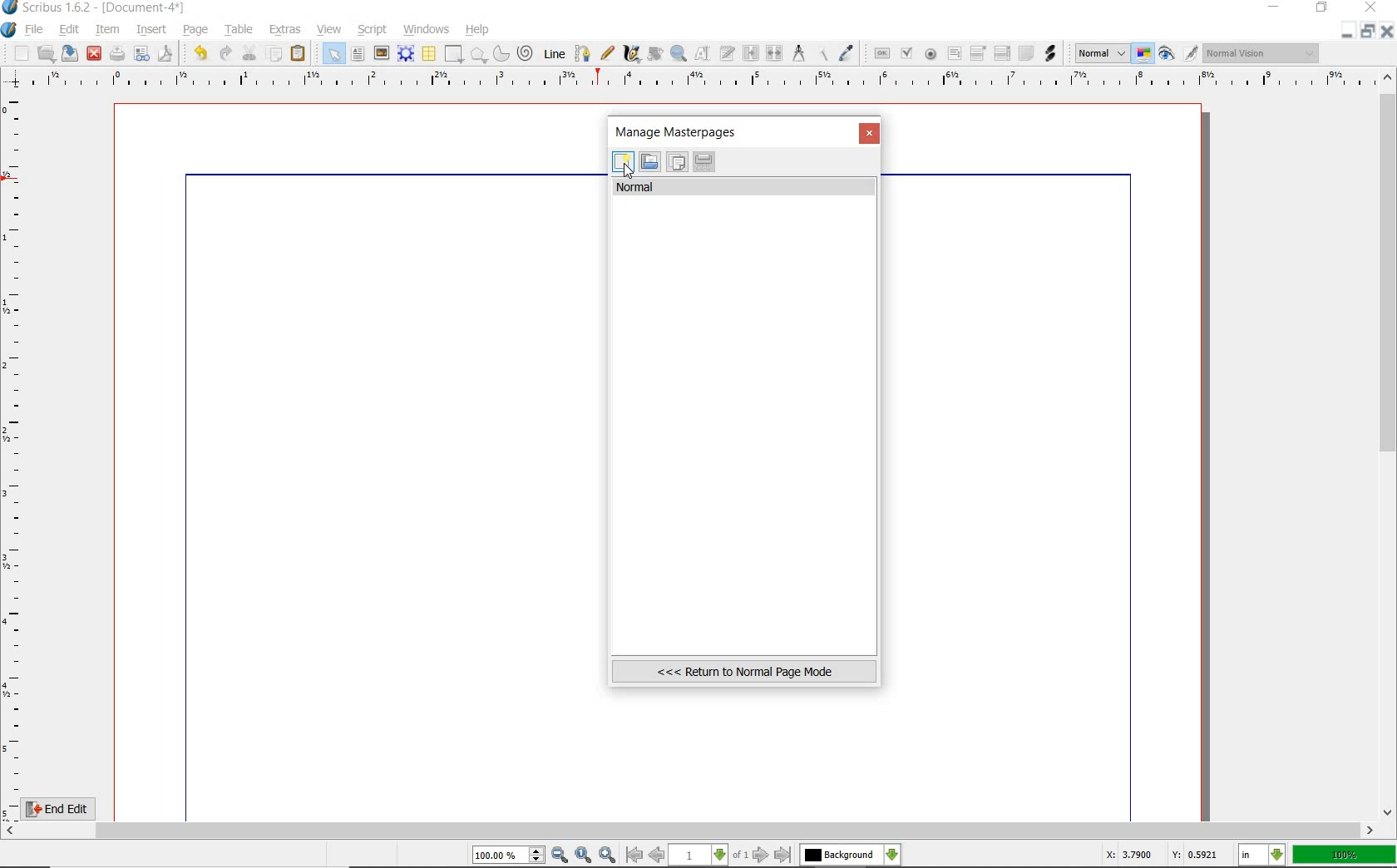  I want to click on print, so click(117, 53).